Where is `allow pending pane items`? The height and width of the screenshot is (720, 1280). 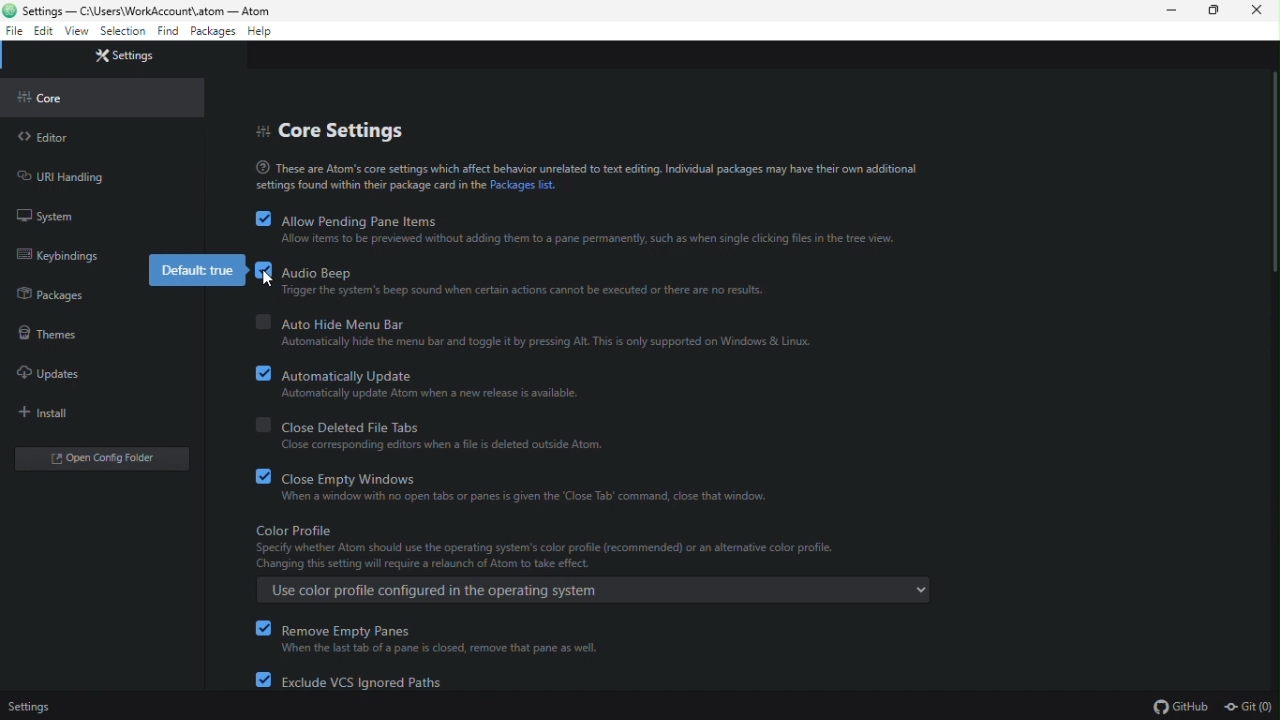
allow pending pane items is located at coordinates (347, 221).